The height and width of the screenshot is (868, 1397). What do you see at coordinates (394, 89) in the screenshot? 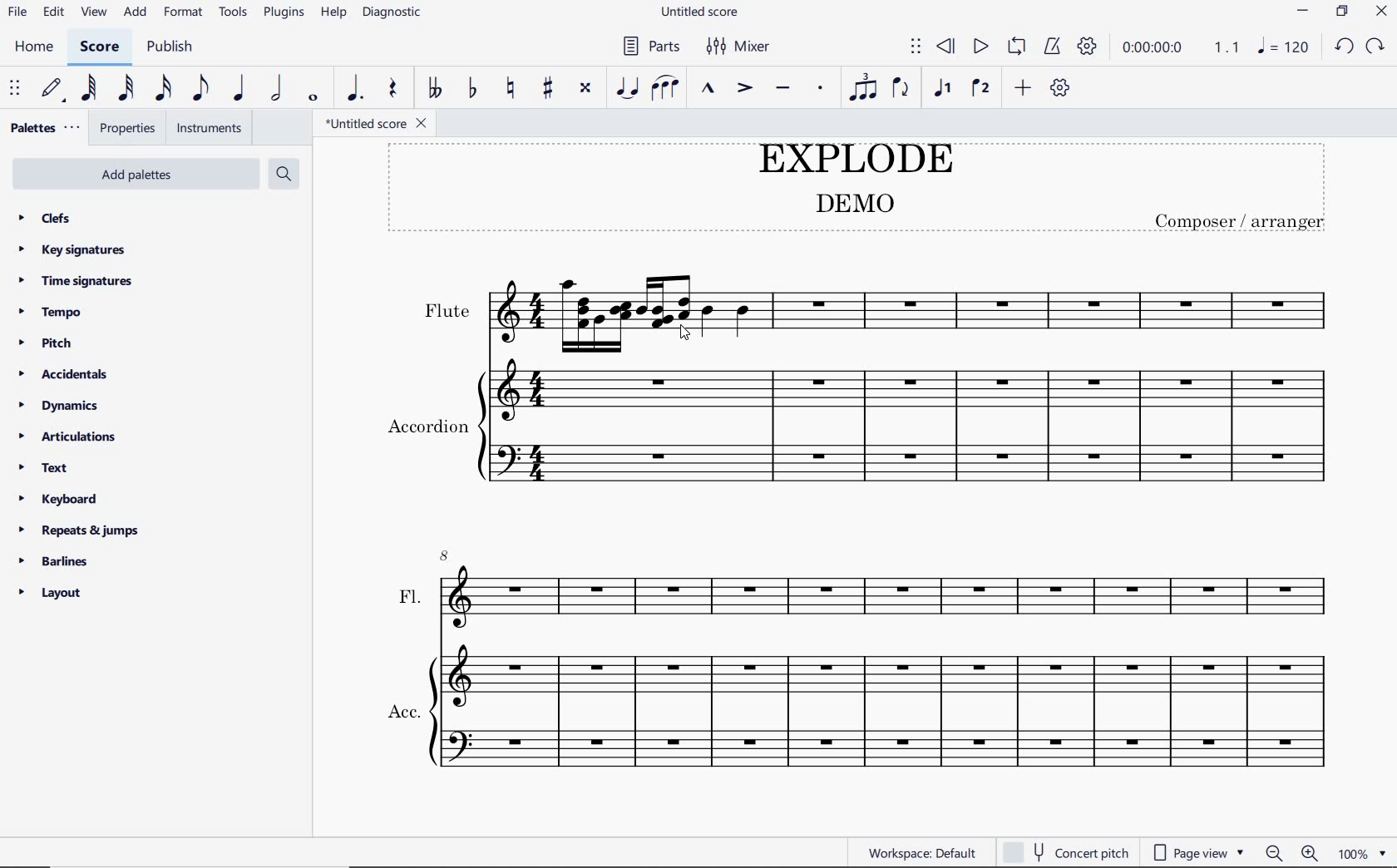
I see `rest` at bounding box center [394, 89].